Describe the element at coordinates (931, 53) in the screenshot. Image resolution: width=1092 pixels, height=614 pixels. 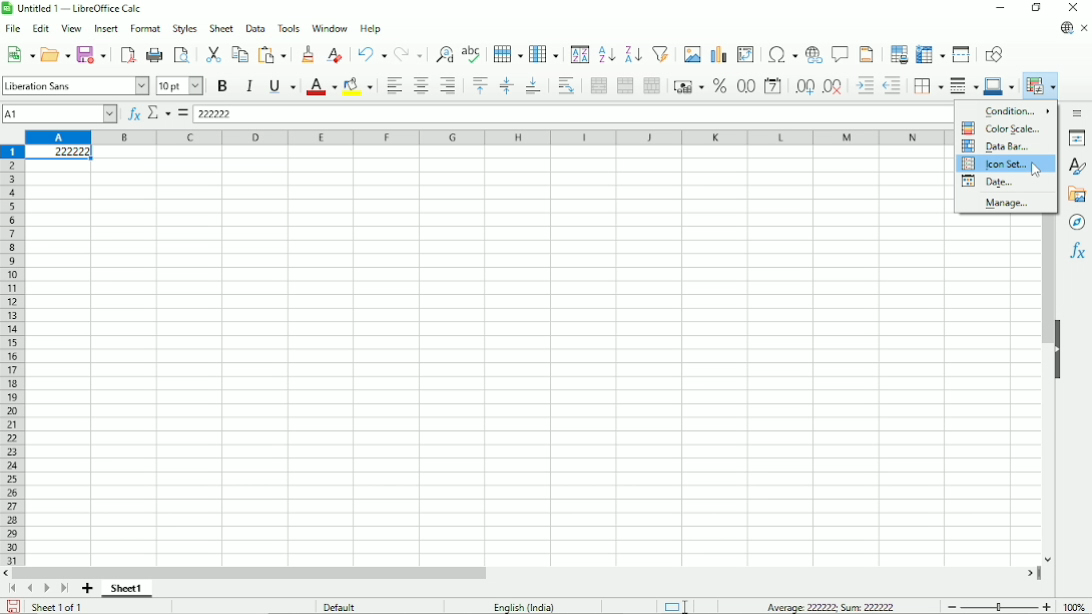
I see `Freeze columns and rows` at that location.